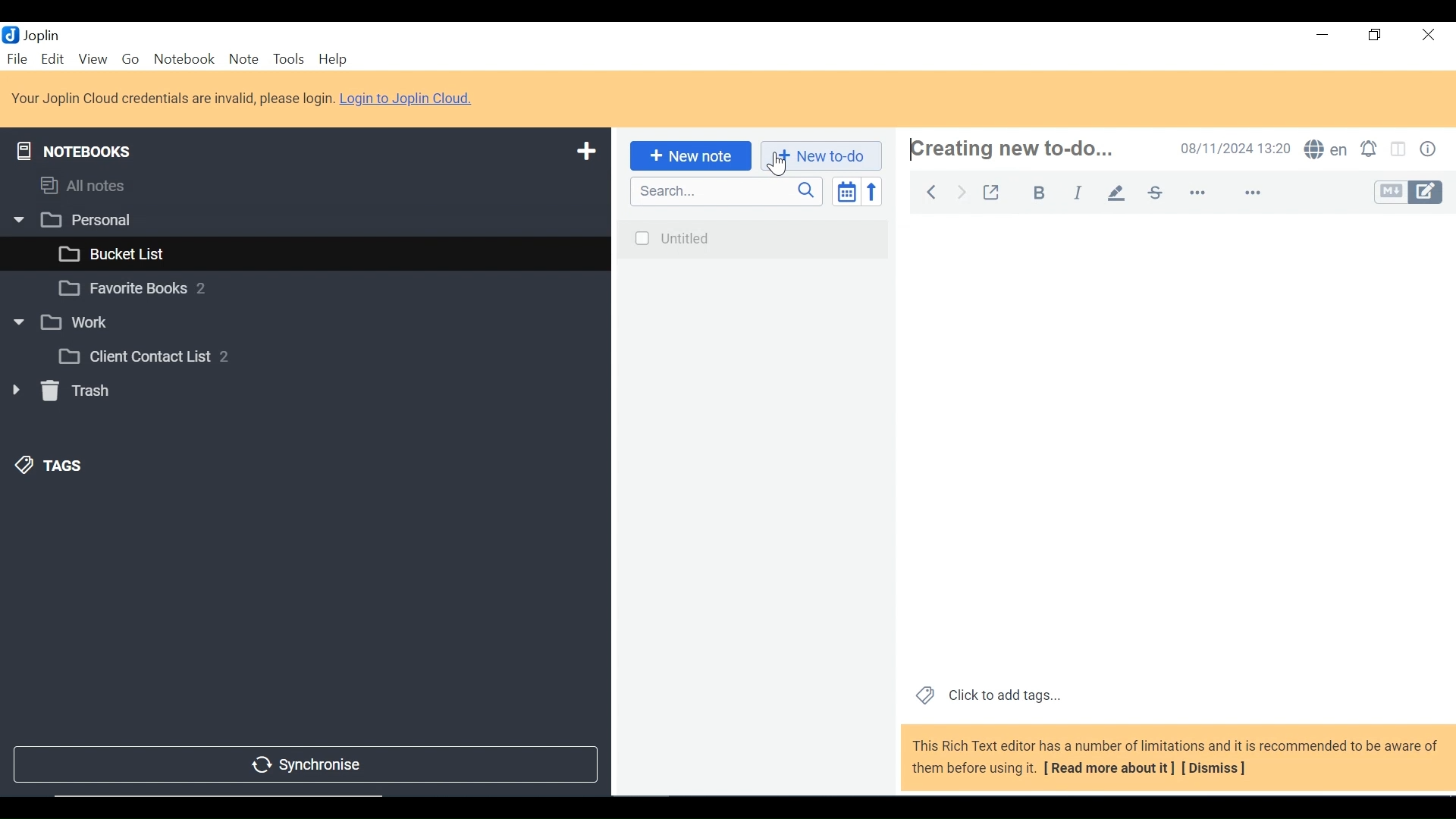  I want to click on Toggle External editing, so click(995, 192).